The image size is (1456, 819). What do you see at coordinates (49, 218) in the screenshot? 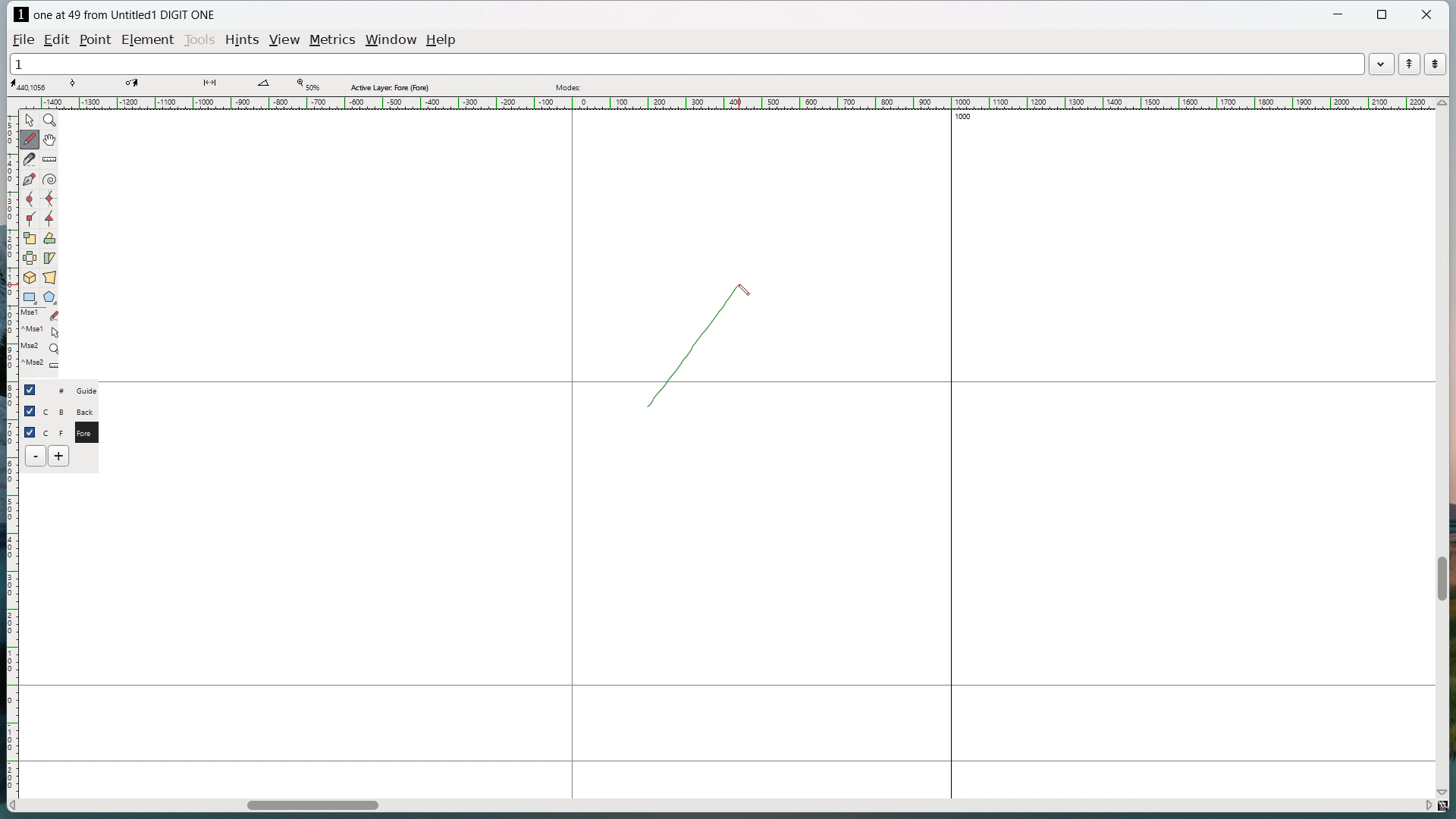
I see `add a tangent point` at bounding box center [49, 218].